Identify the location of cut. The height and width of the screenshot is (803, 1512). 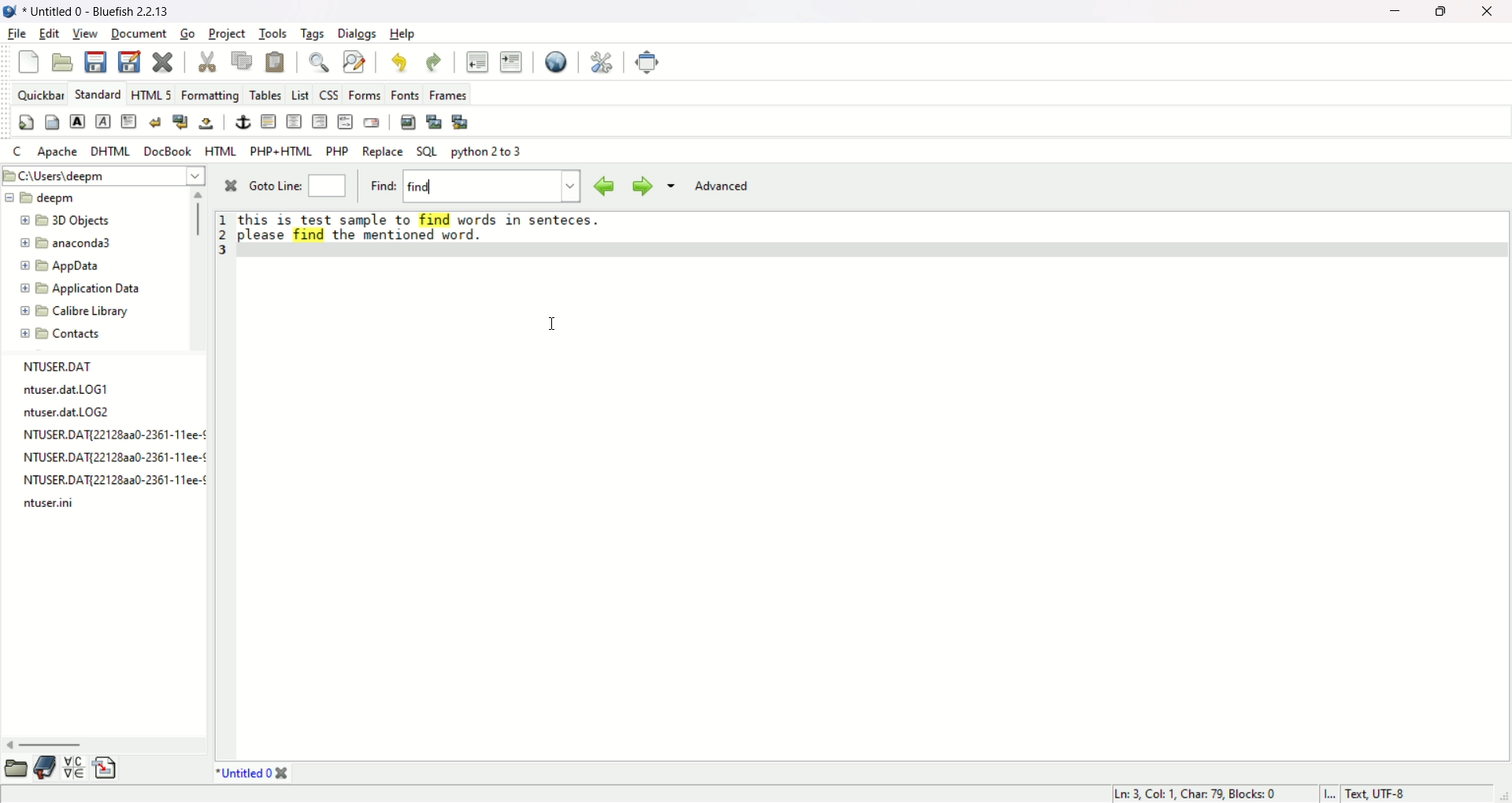
(207, 61).